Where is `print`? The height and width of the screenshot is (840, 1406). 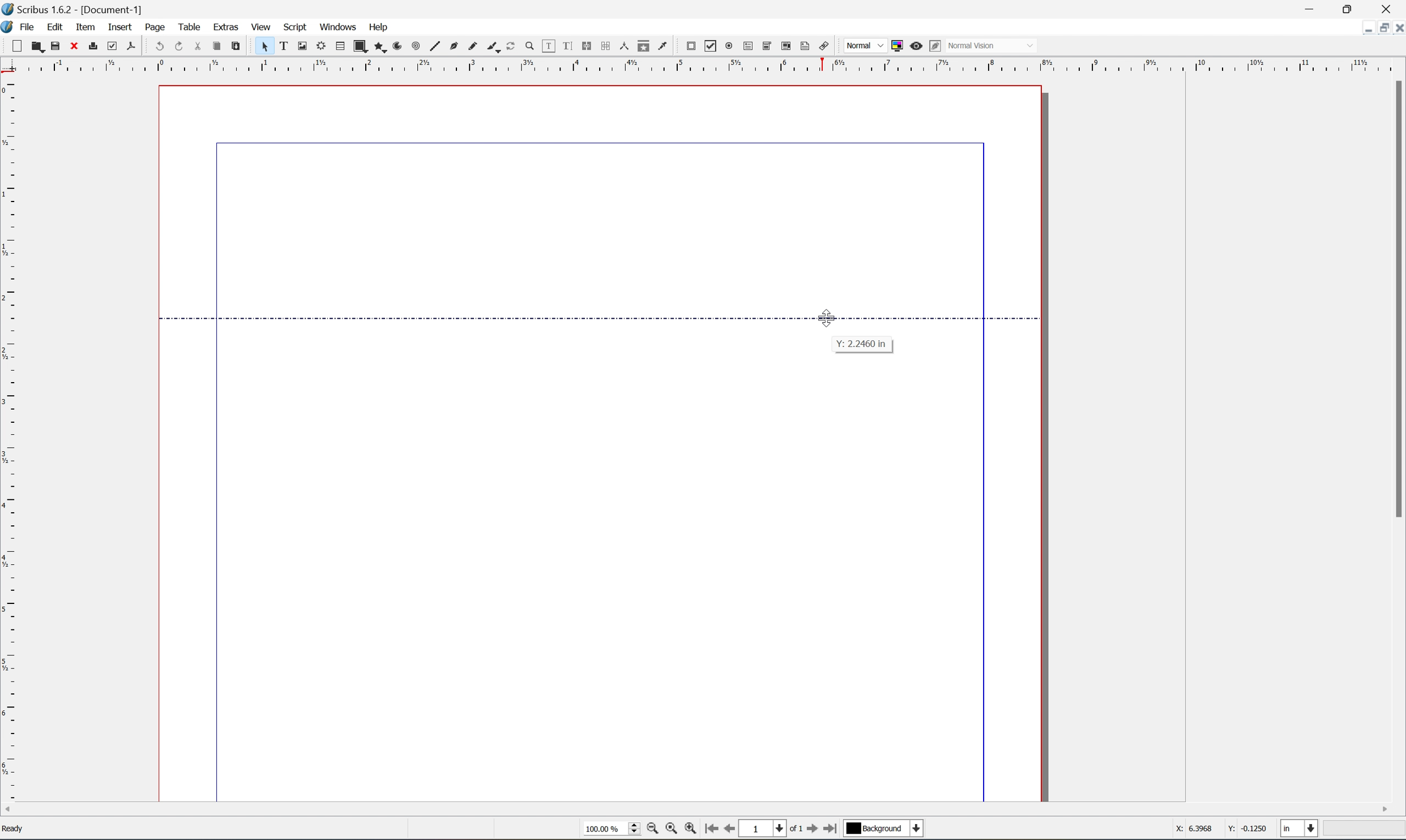 print is located at coordinates (92, 45).